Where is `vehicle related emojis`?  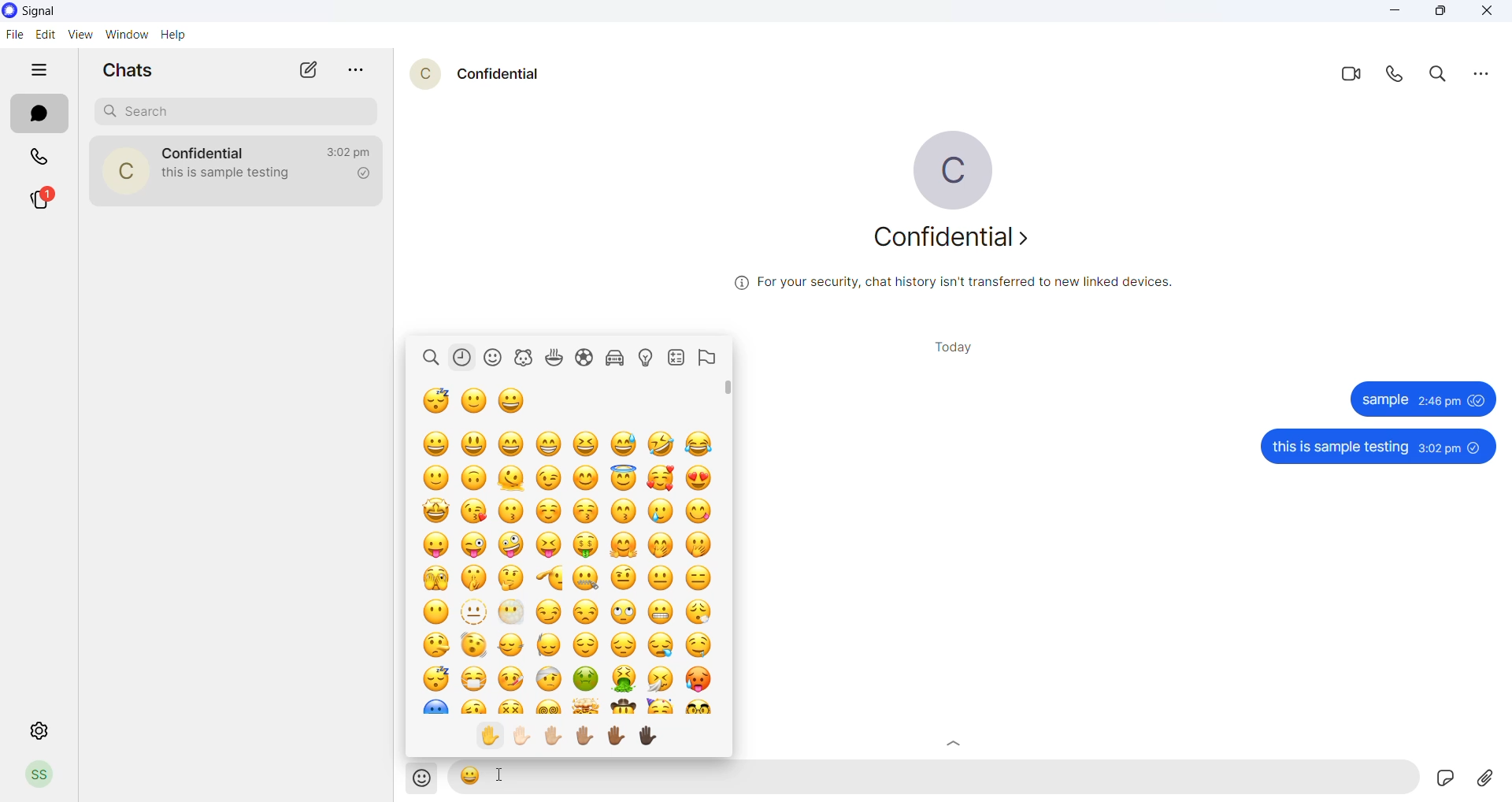
vehicle related emojis is located at coordinates (618, 358).